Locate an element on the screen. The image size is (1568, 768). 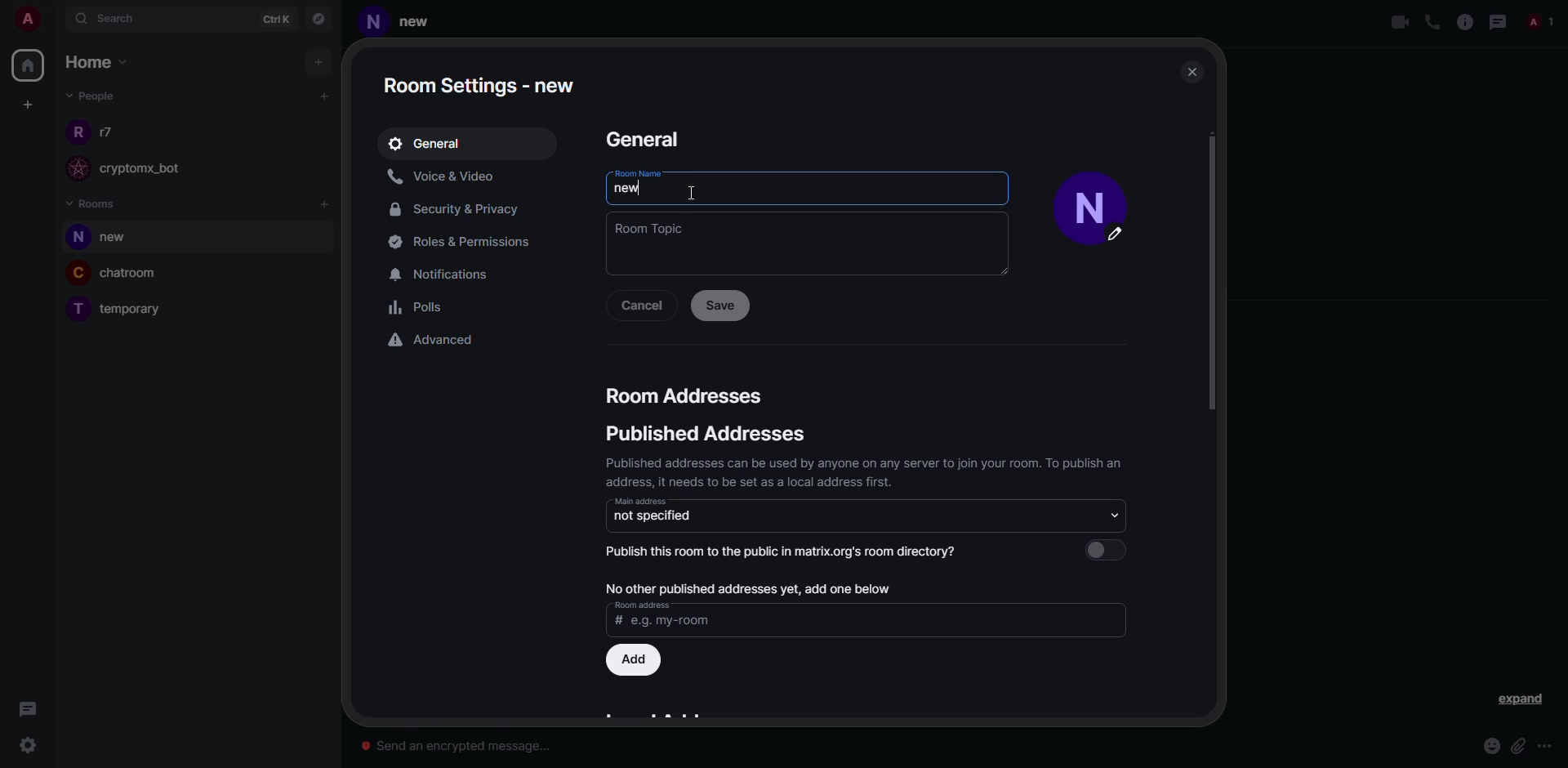
add is located at coordinates (321, 61).